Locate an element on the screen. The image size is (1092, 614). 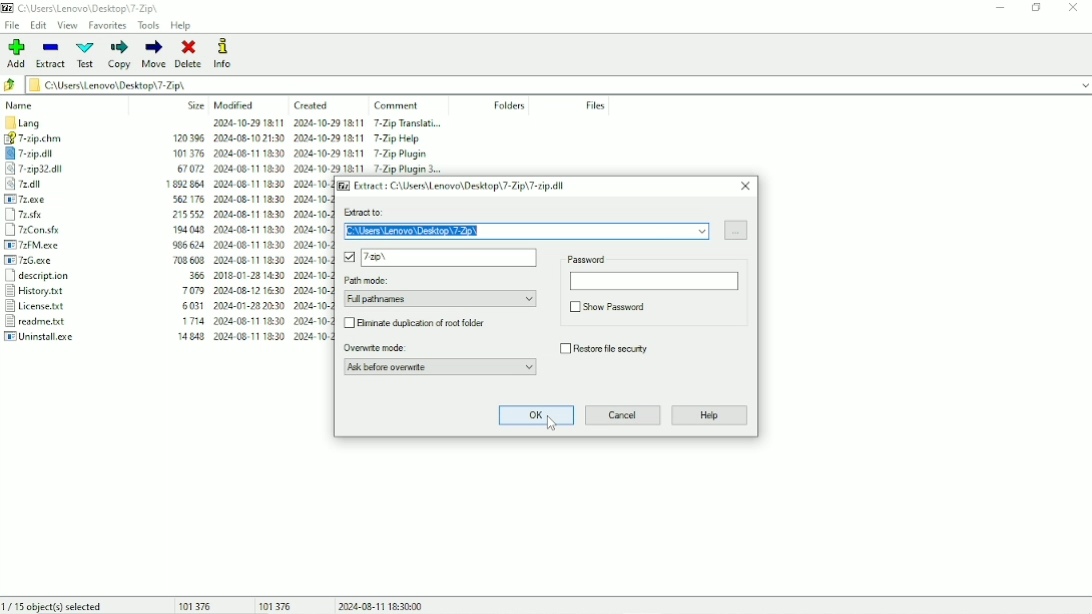
 is located at coordinates (51, 55).